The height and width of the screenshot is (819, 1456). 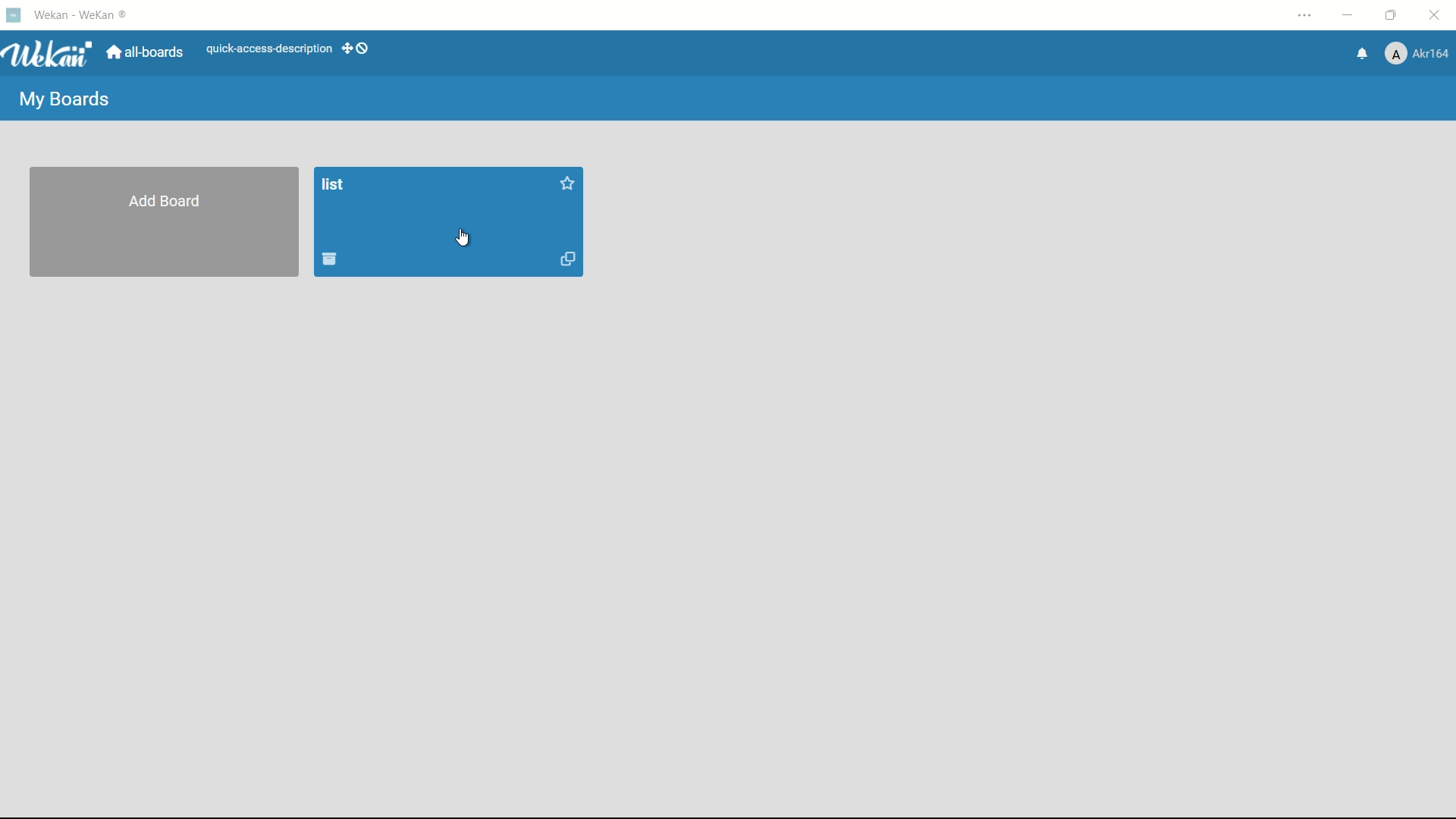 I want to click on minimize, so click(x=1351, y=15).